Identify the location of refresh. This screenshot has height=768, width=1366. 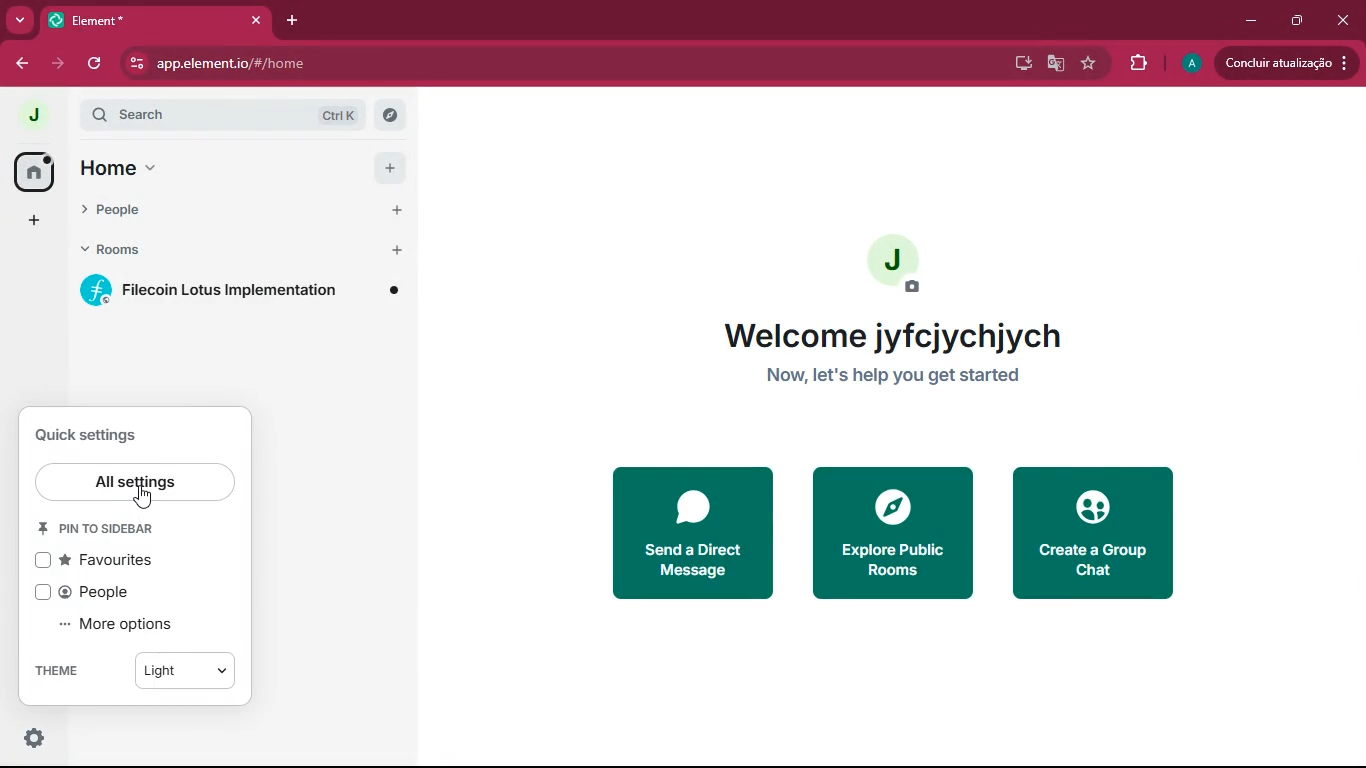
(99, 64).